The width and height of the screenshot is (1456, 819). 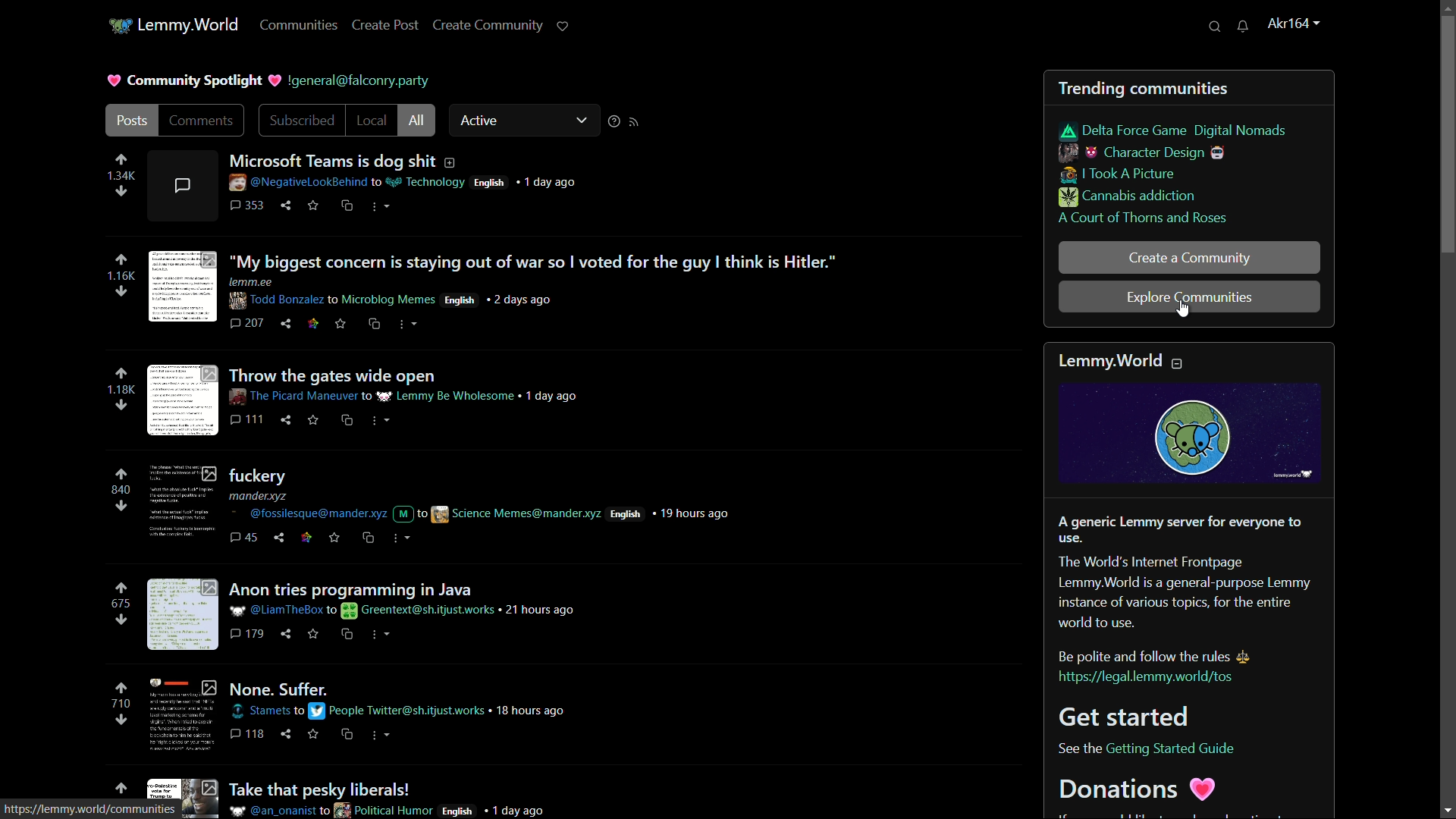 I want to click on comments, so click(x=247, y=206).